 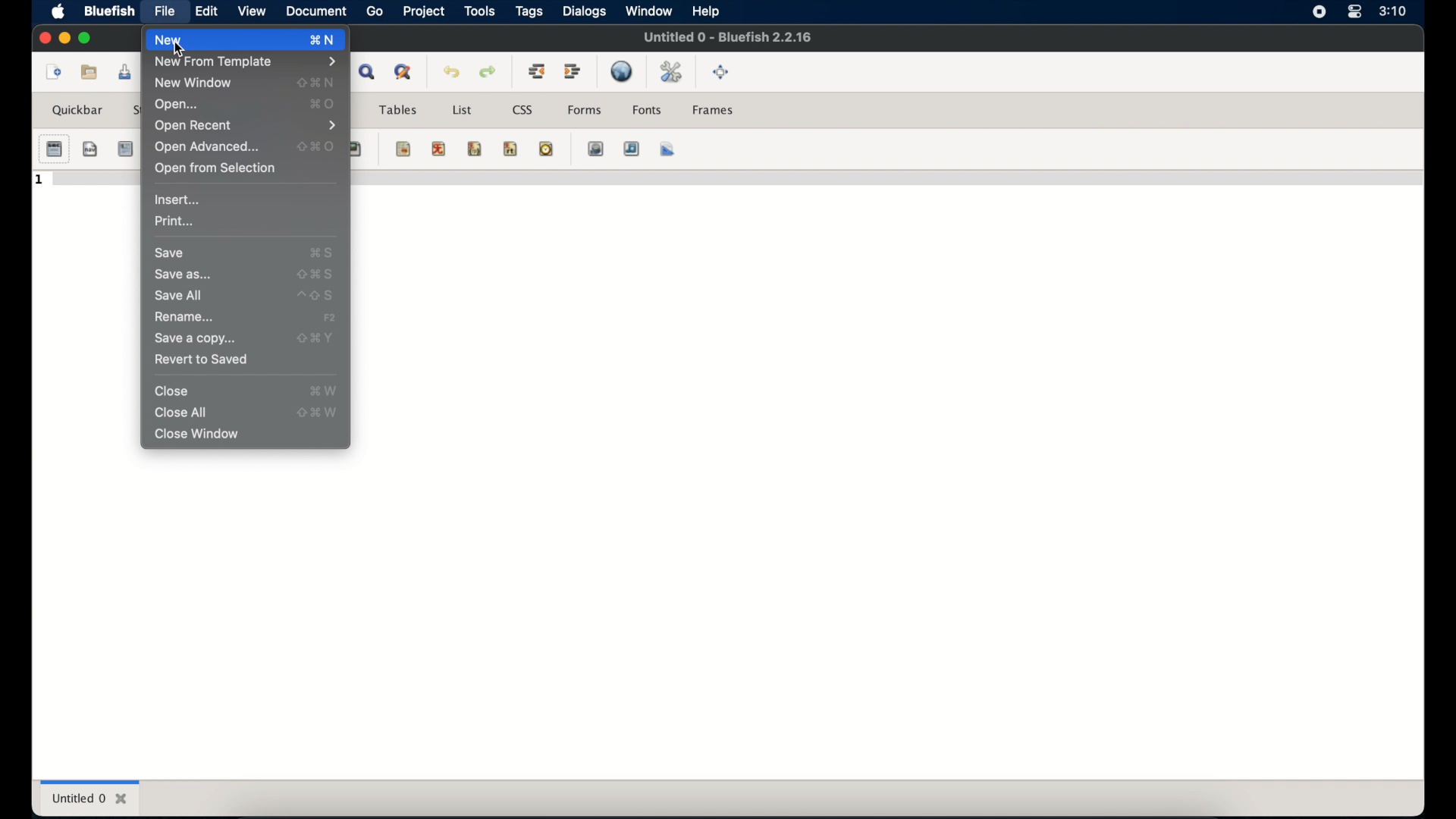 I want to click on redo, so click(x=488, y=72).